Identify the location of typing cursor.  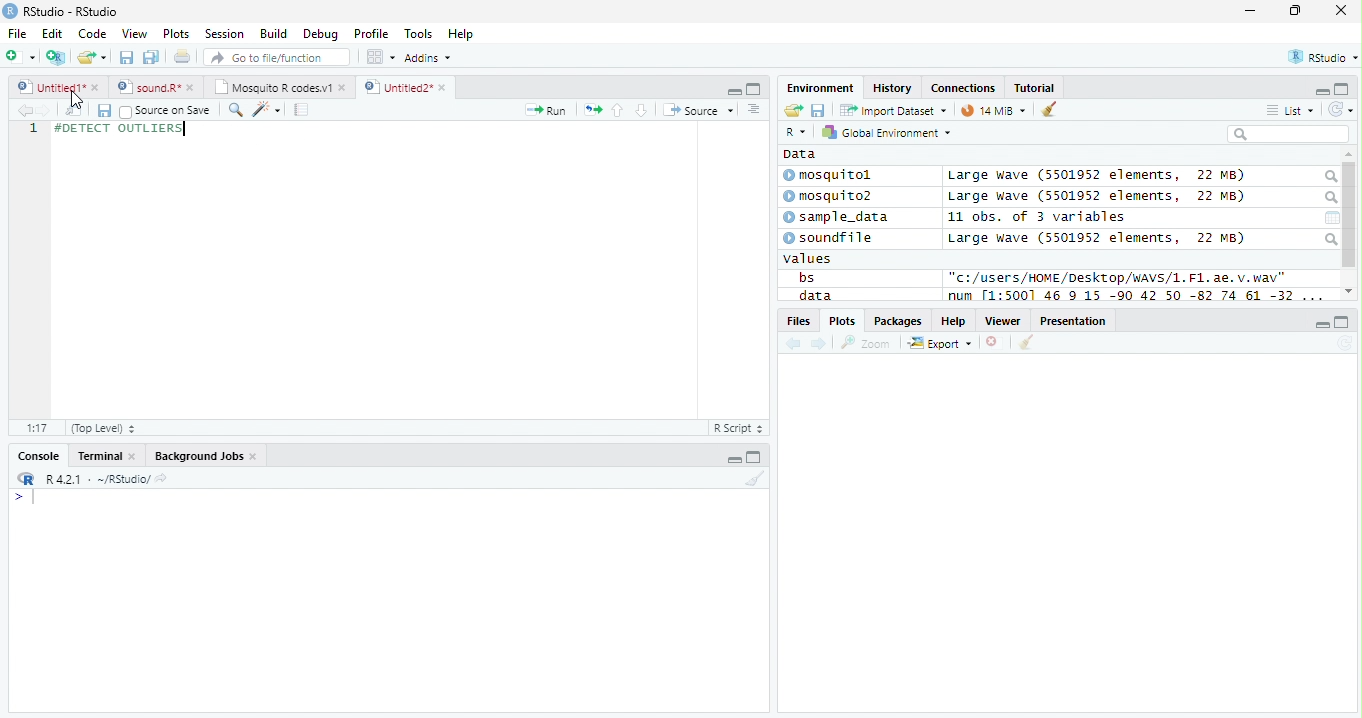
(24, 498).